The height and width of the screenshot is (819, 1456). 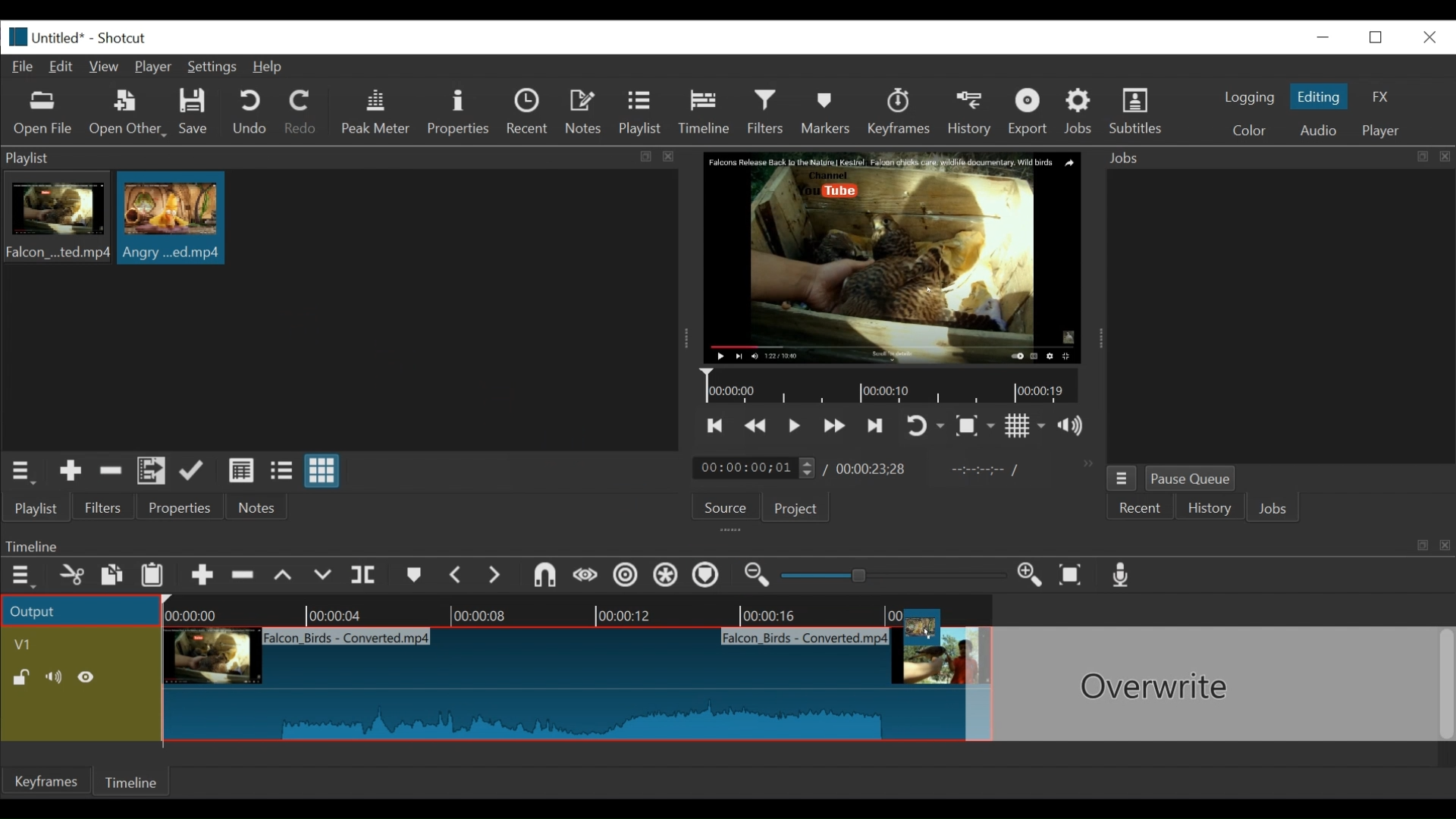 What do you see at coordinates (157, 68) in the screenshot?
I see `Player` at bounding box center [157, 68].